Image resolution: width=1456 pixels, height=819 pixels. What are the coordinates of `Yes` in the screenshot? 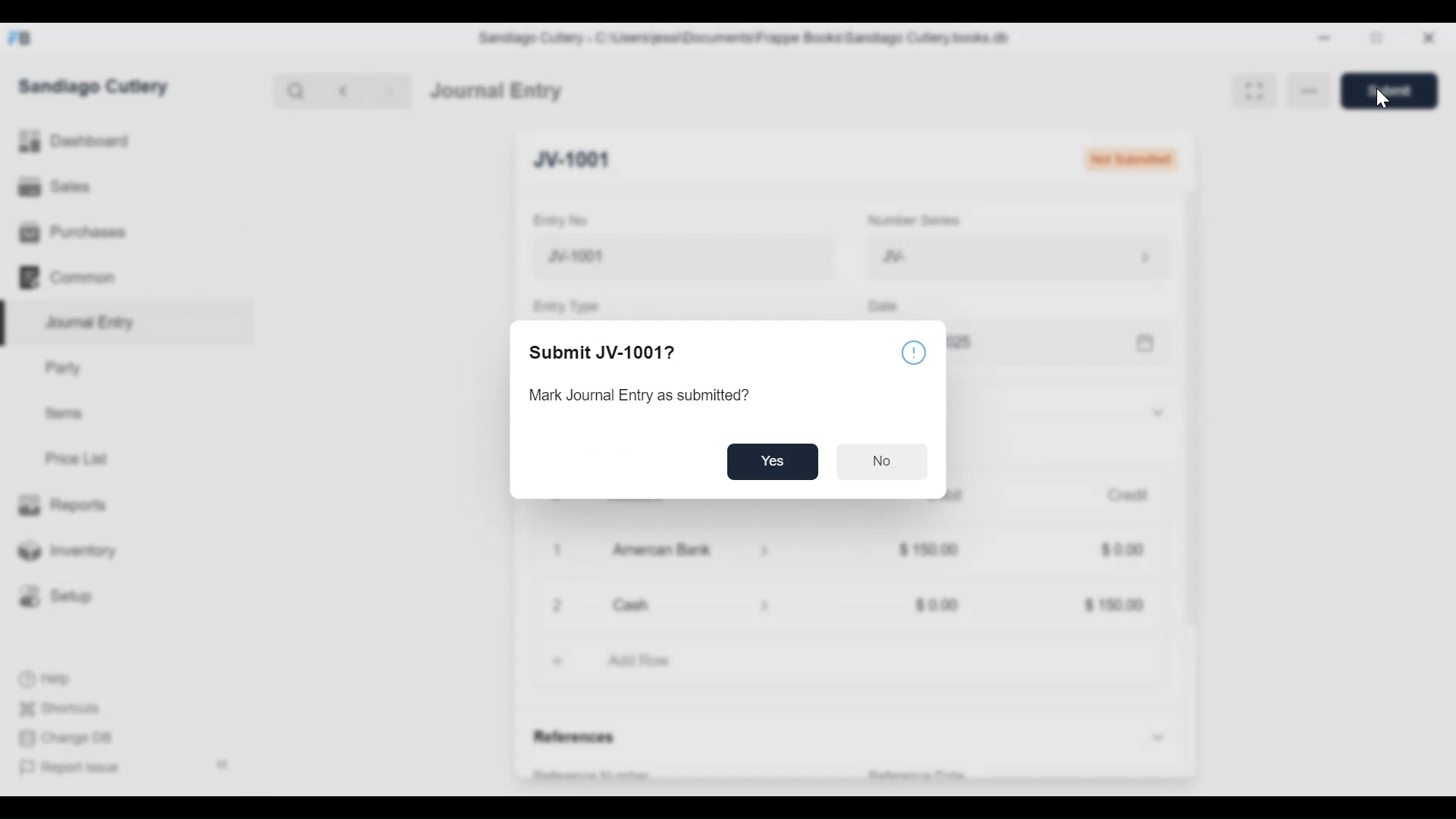 It's located at (774, 460).